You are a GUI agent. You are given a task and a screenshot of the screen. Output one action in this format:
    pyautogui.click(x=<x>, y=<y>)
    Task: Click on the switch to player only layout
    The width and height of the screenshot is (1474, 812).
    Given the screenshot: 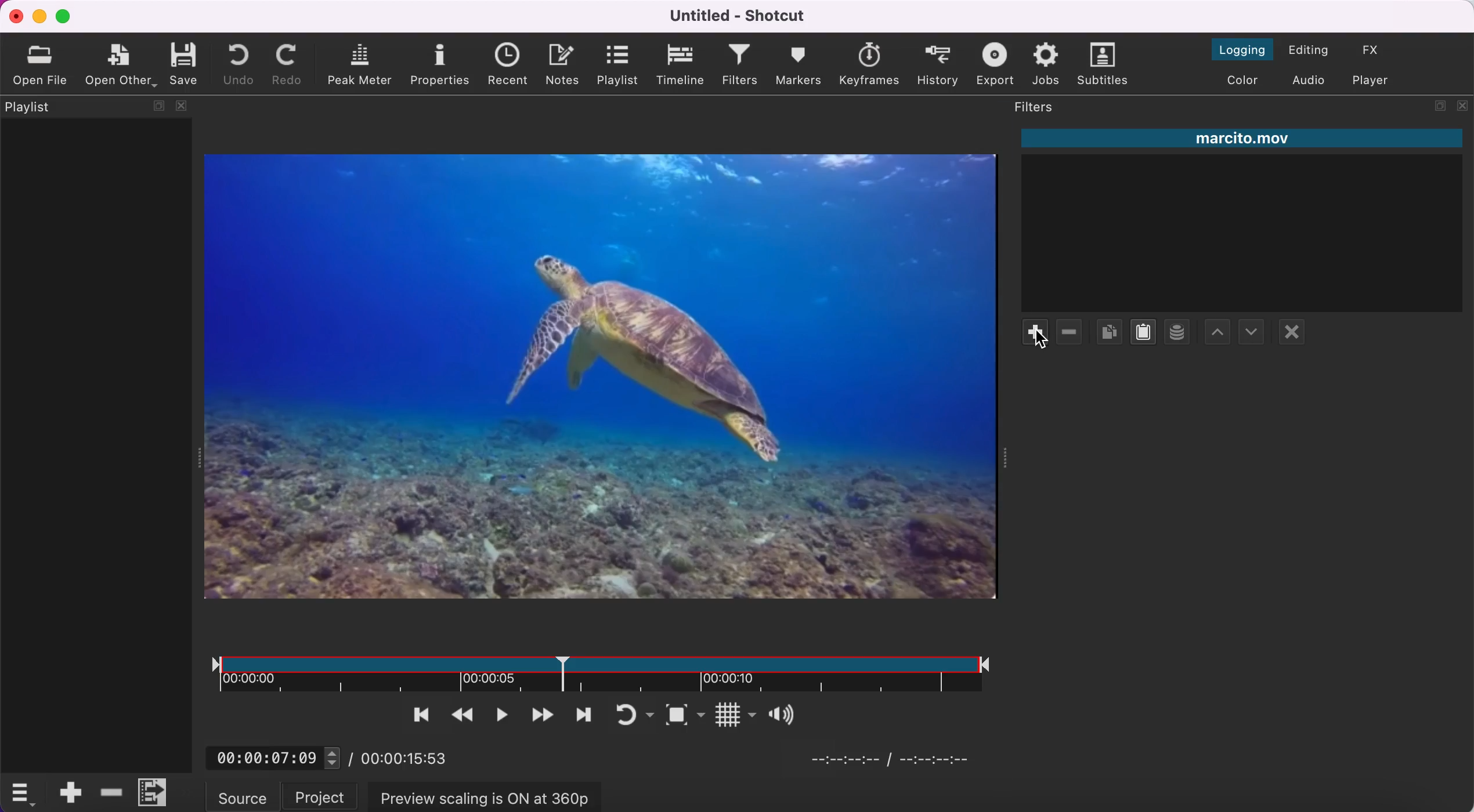 What is the action you would take?
    pyautogui.click(x=1380, y=79)
    